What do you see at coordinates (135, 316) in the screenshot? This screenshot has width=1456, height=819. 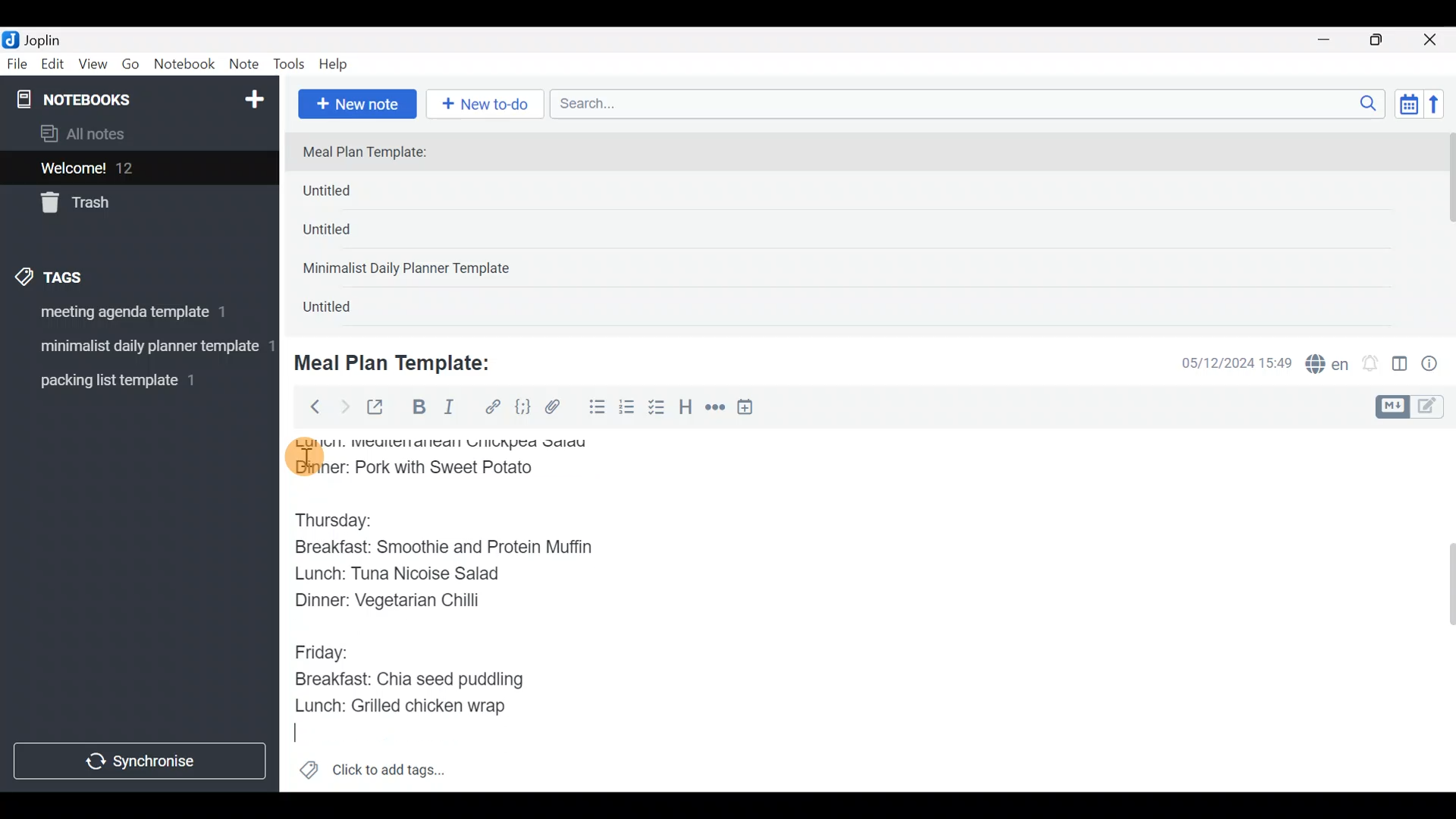 I see `Tag 1` at bounding box center [135, 316].